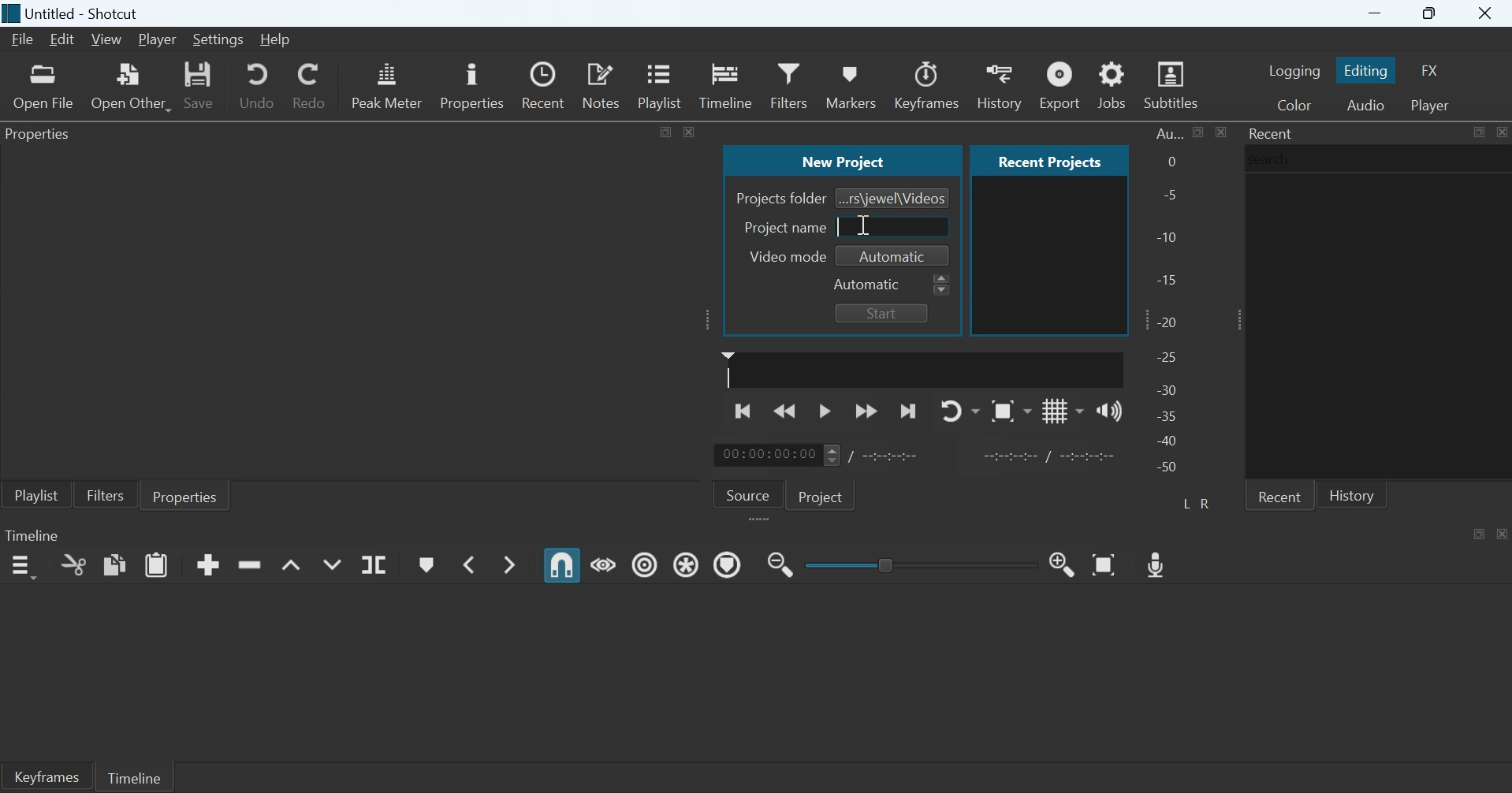  I want to click on Edit, so click(61, 39).